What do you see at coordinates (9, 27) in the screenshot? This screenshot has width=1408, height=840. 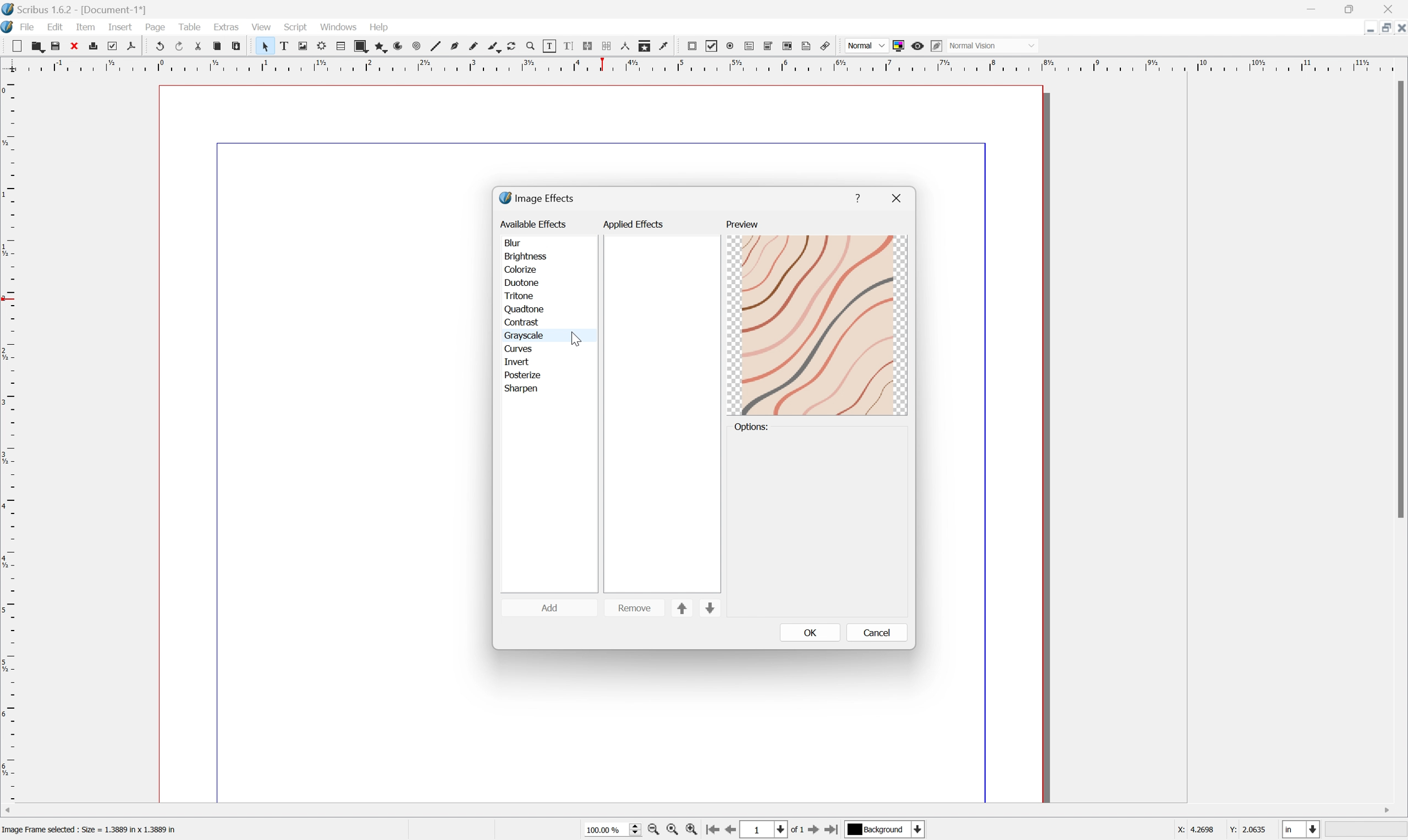 I see `Scribus icon` at bounding box center [9, 27].